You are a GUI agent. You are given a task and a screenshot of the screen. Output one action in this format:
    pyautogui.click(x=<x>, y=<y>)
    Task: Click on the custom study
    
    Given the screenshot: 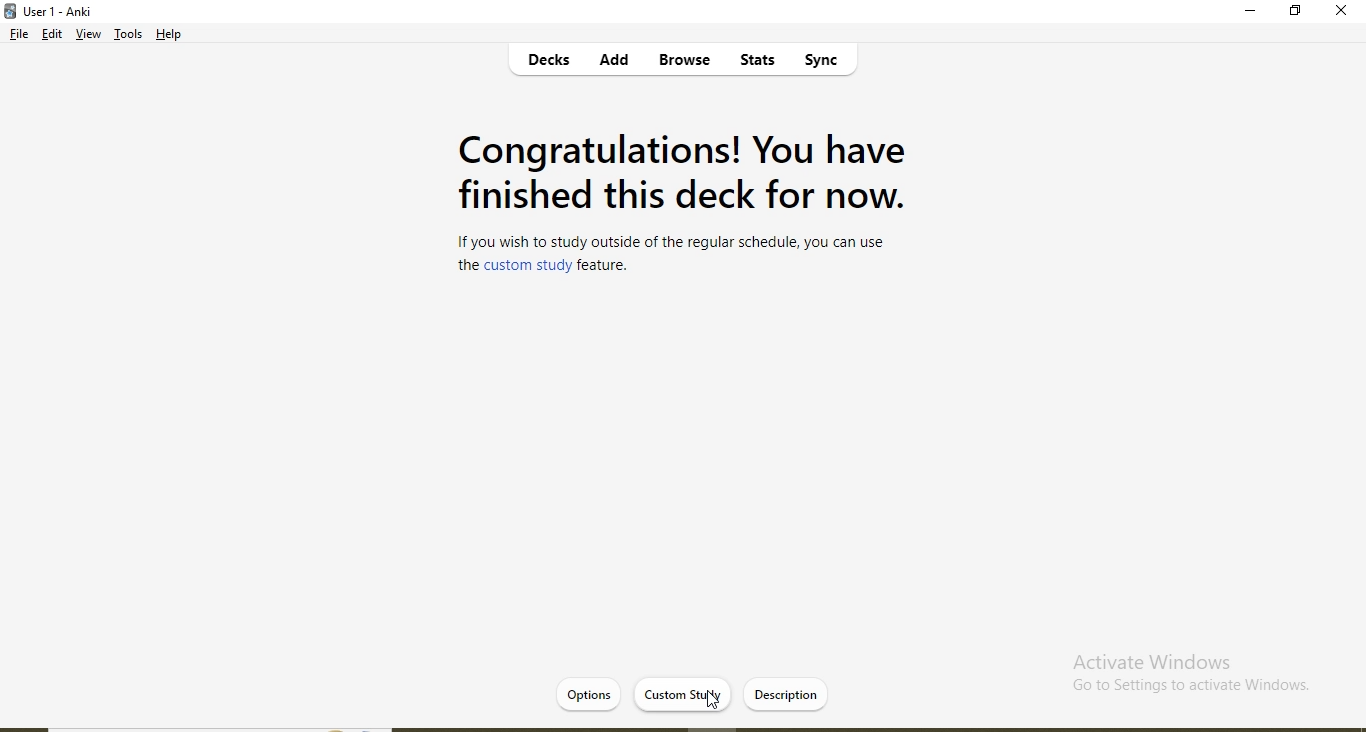 What is the action you would take?
    pyautogui.click(x=681, y=693)
    